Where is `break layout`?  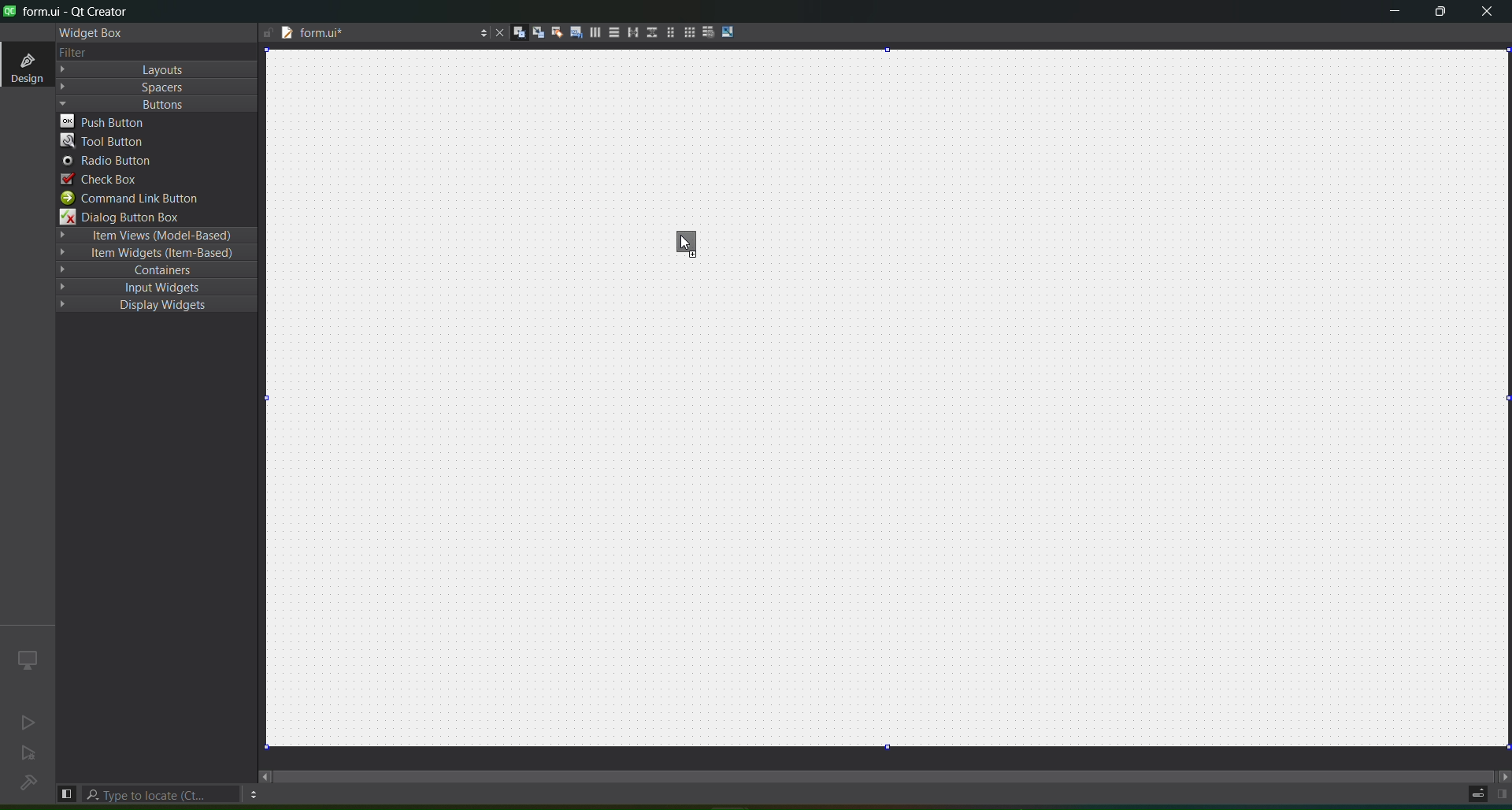
break layout is located at coordinates (708, 30).